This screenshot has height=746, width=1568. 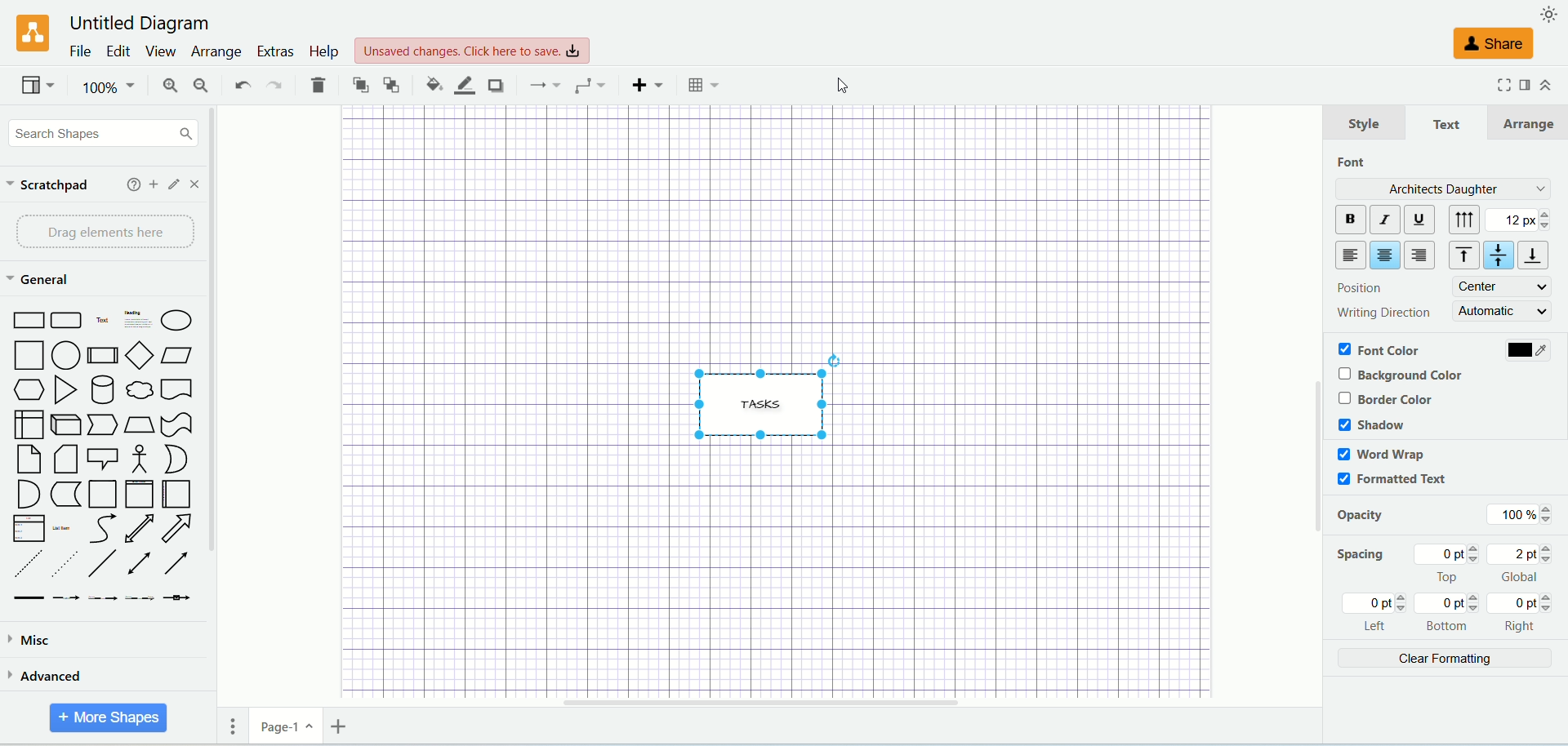 I want to click on vertical scroll bar, so click(x=220, y=400).